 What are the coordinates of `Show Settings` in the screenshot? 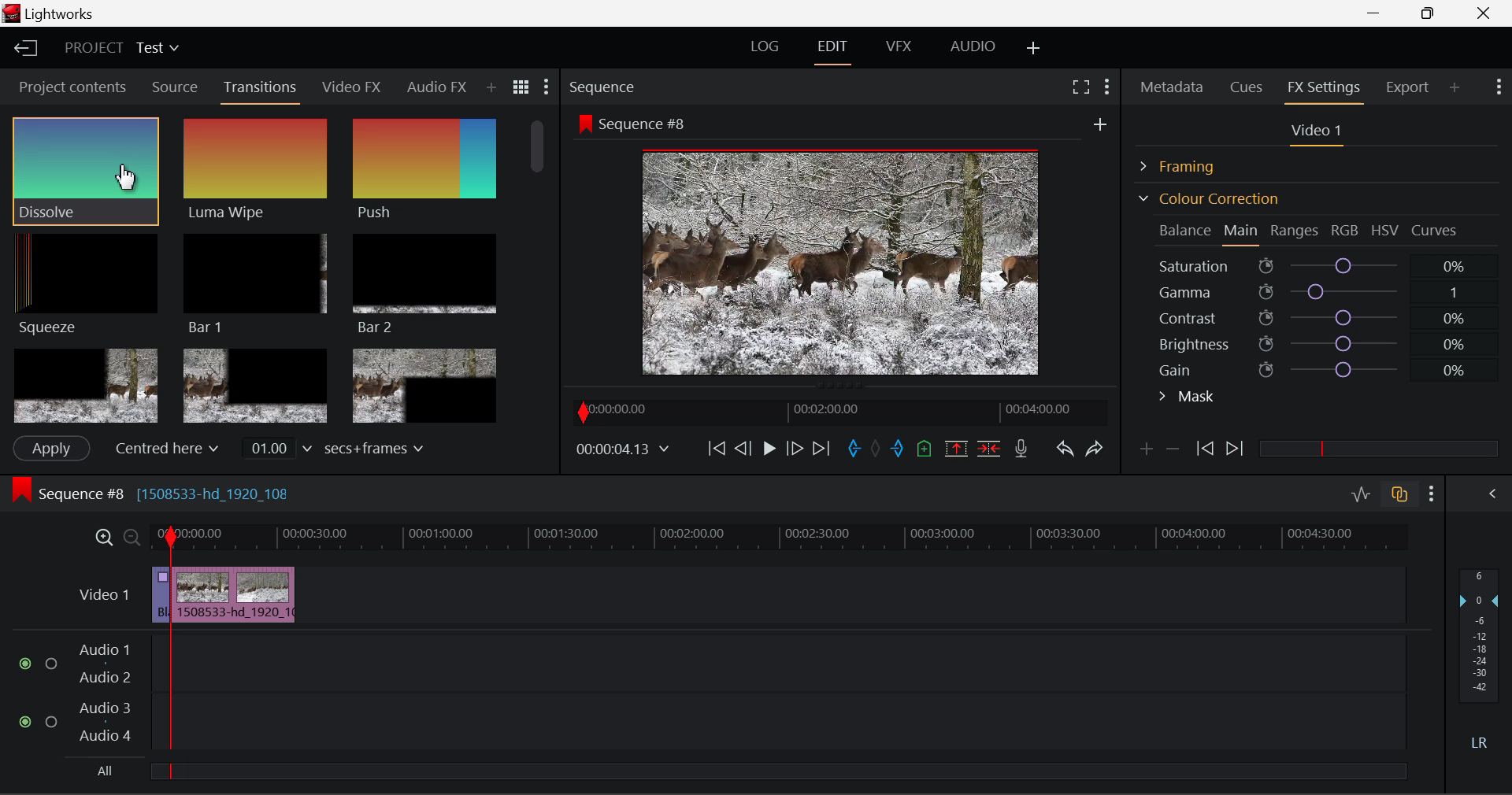 It's located at (1497, 85).